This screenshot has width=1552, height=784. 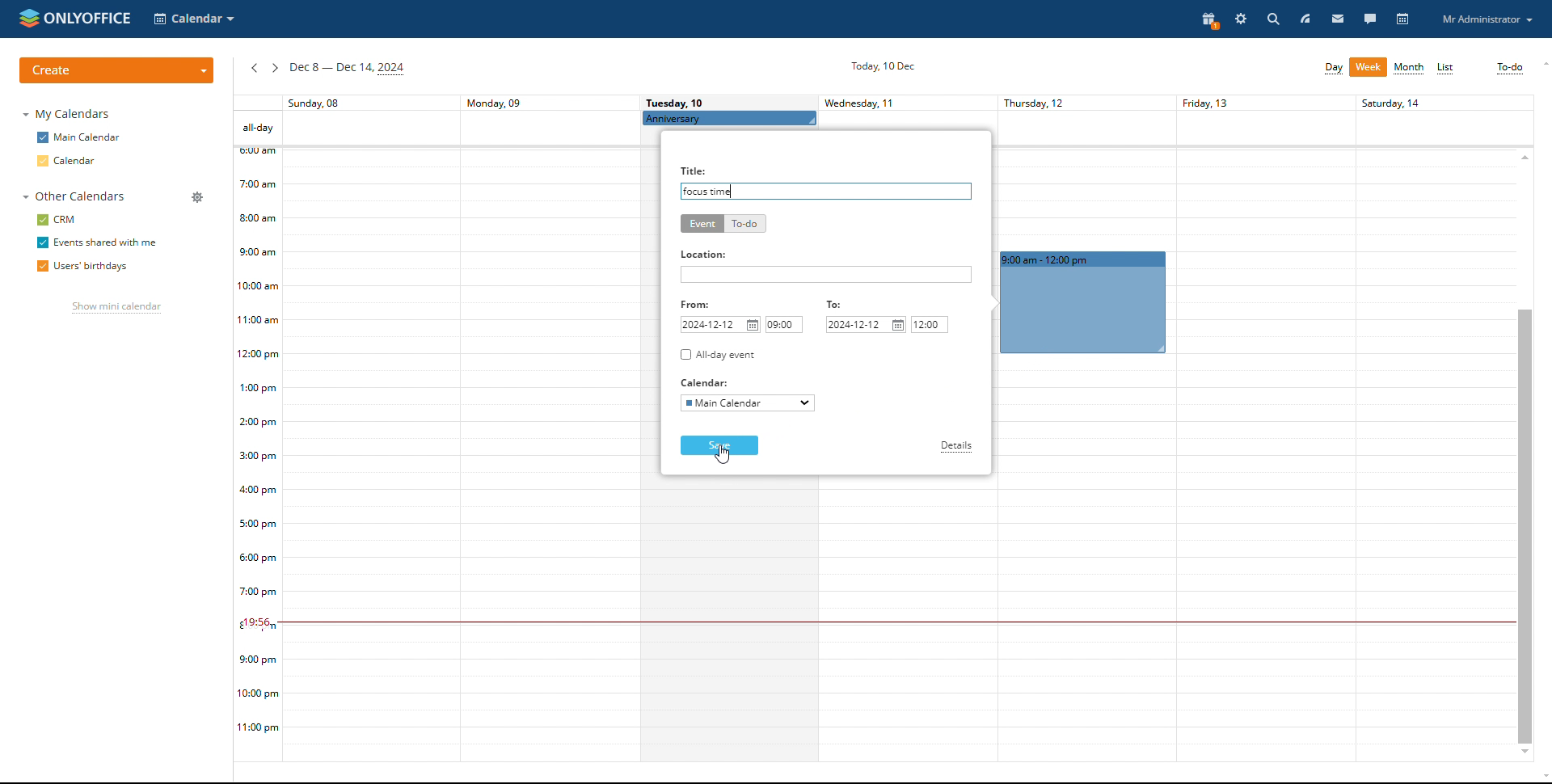 What do you see at coordinates (547, 428) in the screenshot?
I see `monday` at bounding box center [547, 428].